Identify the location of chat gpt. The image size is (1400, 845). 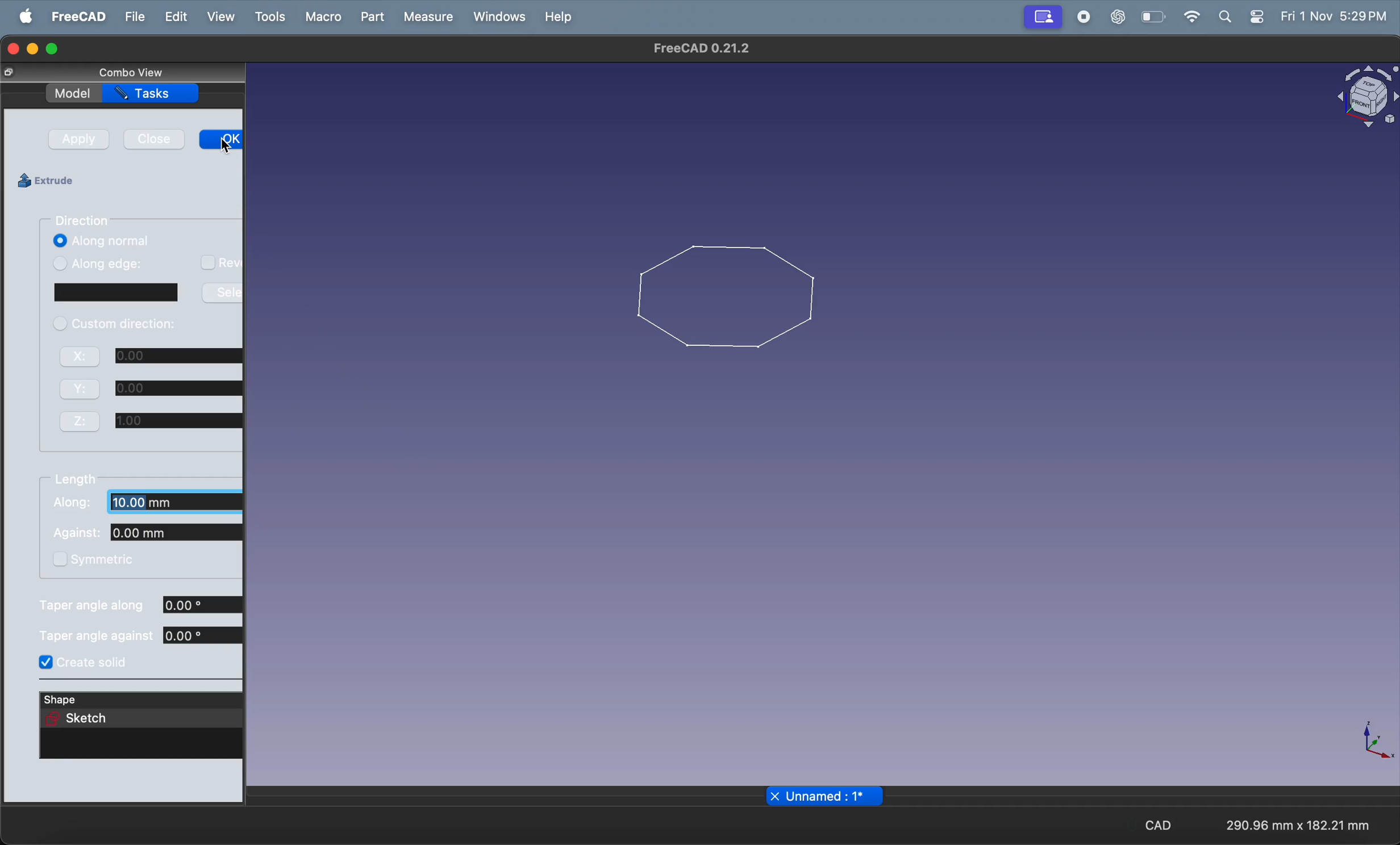
(1116, 17).